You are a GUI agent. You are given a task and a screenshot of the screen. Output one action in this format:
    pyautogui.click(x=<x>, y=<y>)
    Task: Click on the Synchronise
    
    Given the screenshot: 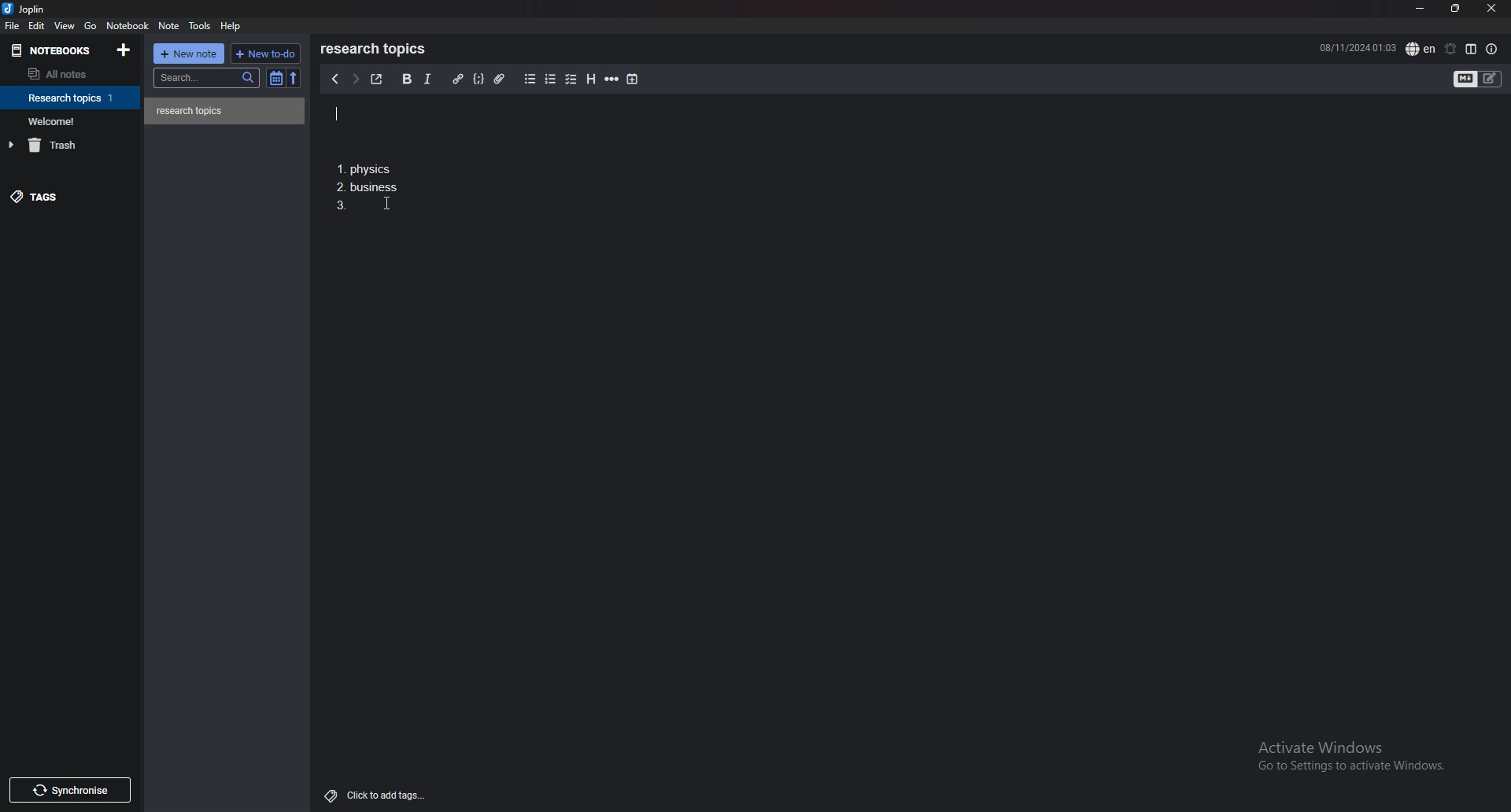 What is the action you would take?
    pyautogui.click(x=73, y=789)
    